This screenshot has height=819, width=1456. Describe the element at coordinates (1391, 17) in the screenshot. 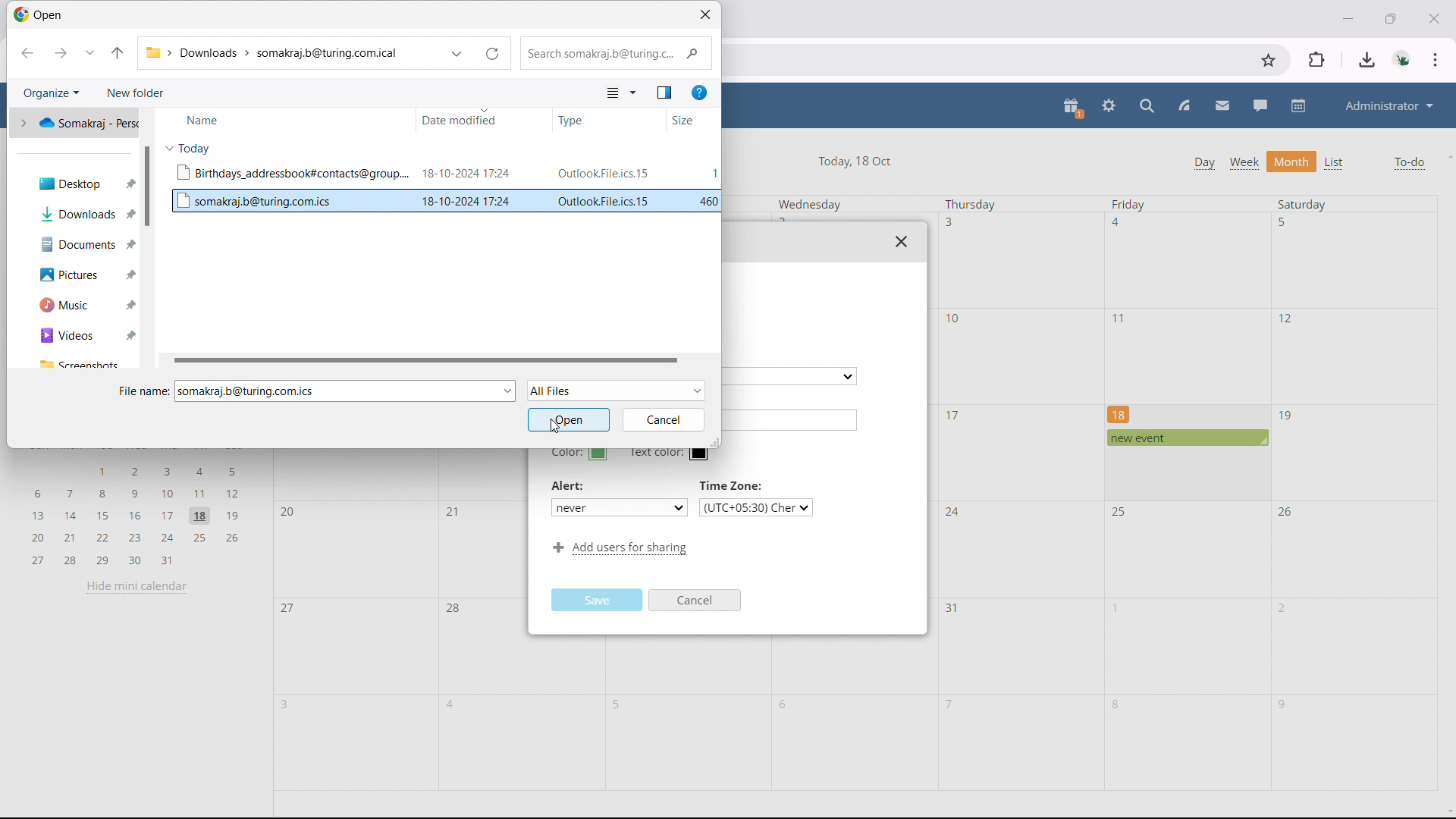

I see `maximize` at that location.